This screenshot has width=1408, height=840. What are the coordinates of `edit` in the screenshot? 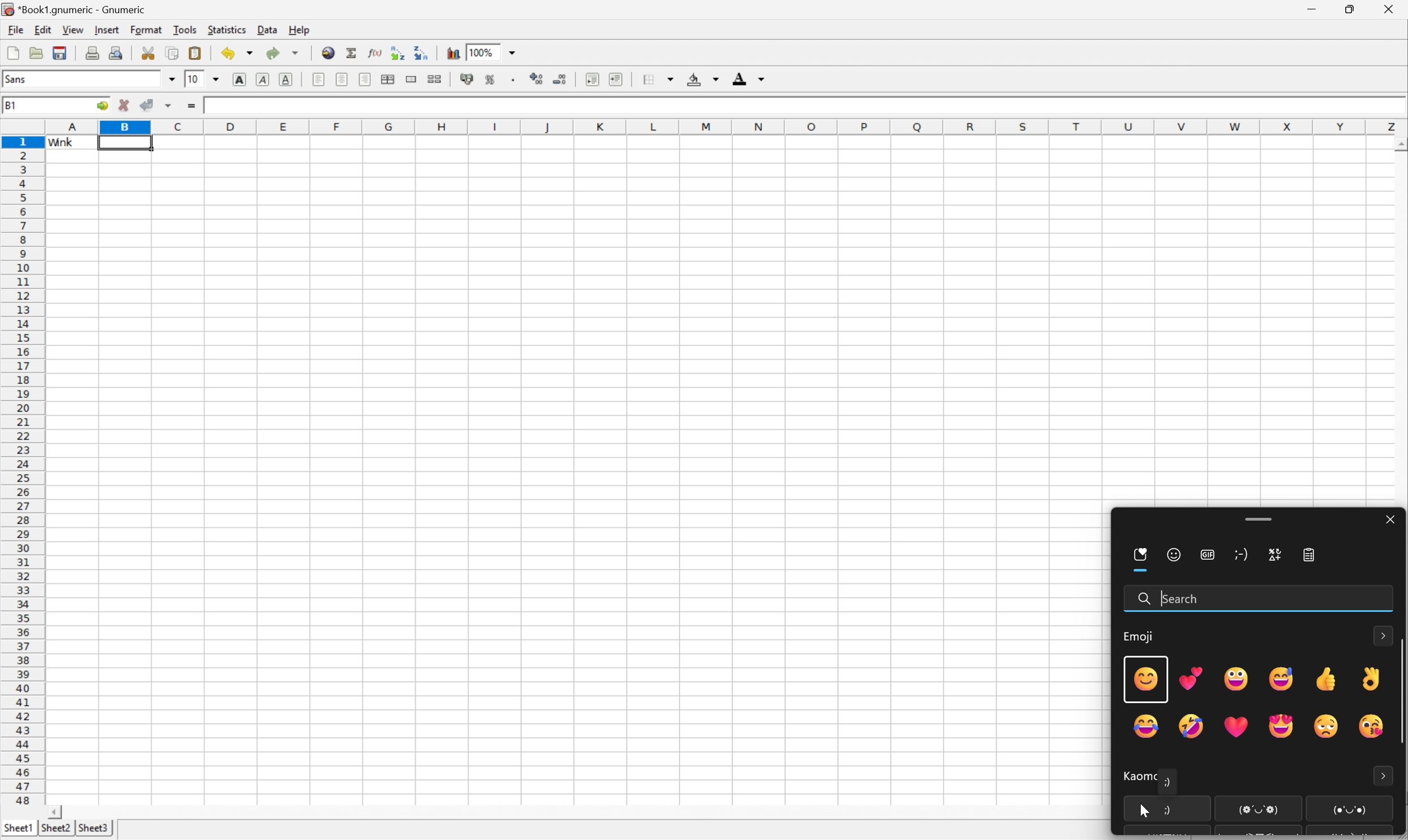 It's located at (41, 31).